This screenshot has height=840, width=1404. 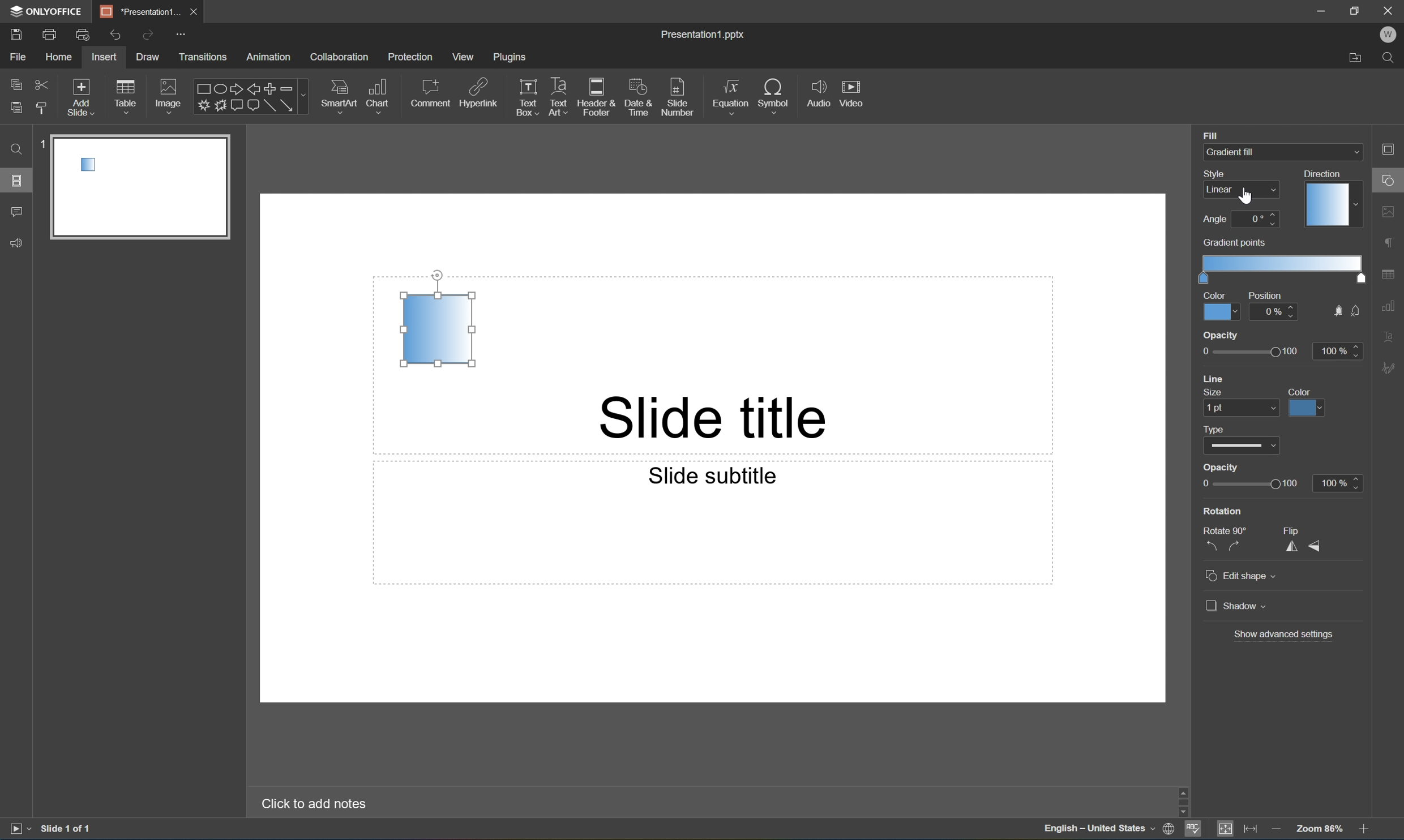 I want to click on Table settings, so click(x=1391, y=275).